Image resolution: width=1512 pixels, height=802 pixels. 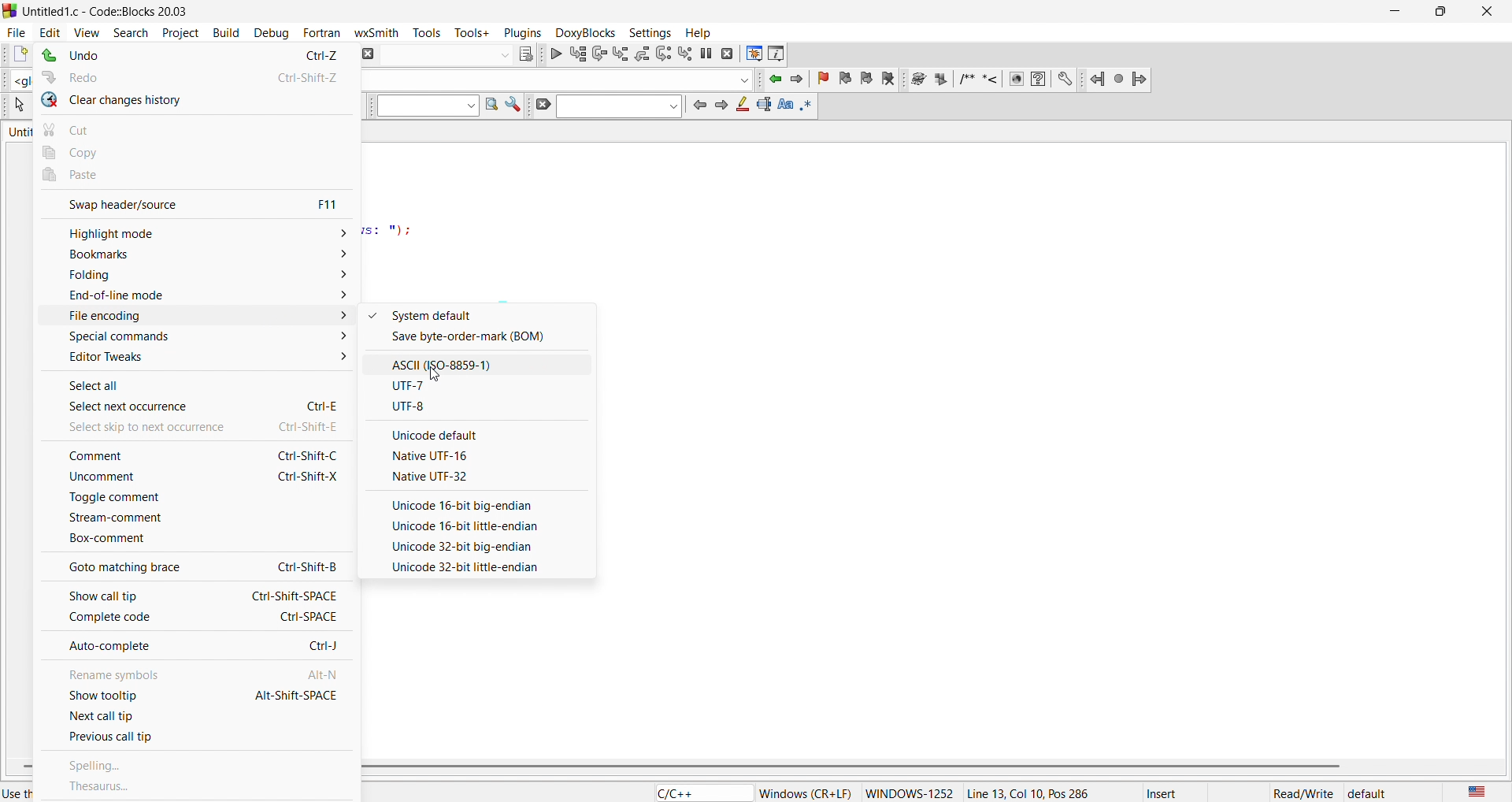 What do you see at coordinates (198, 297) in the screenshot?
I see `end of line mode` at bounding box center [198, 297].